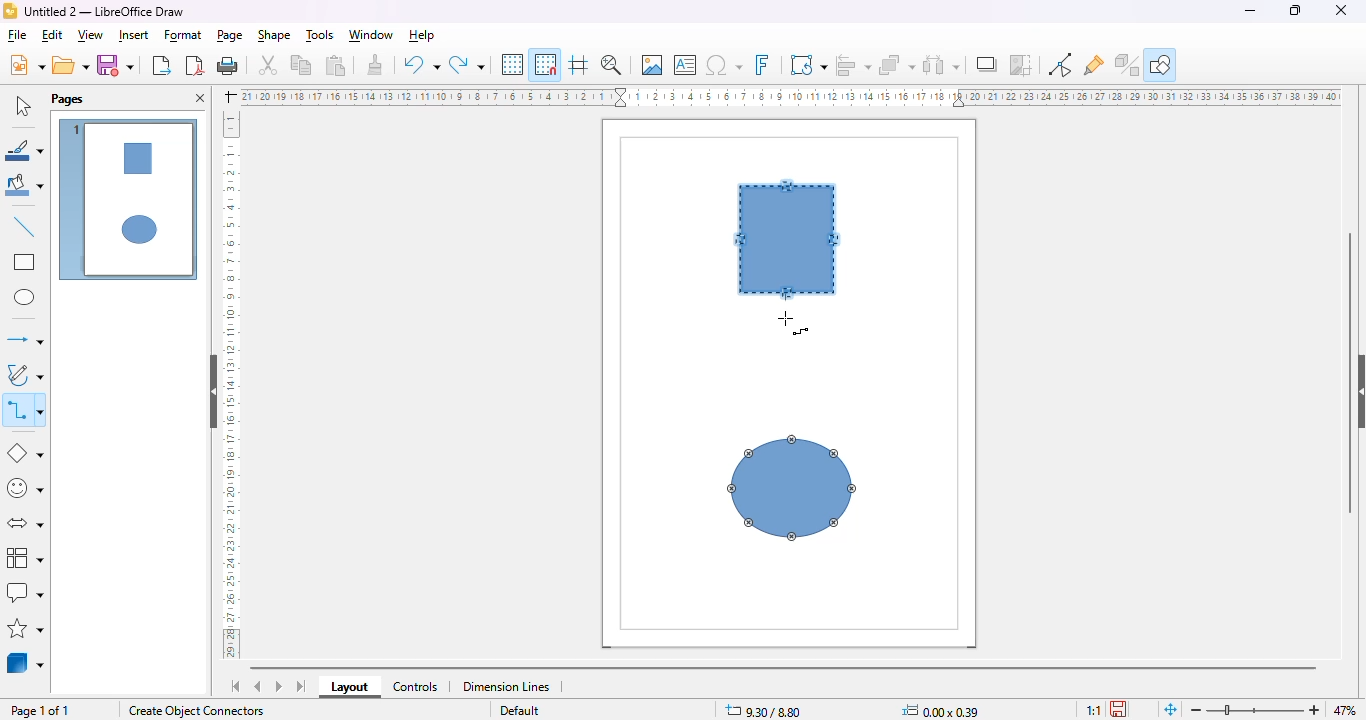 This screenshot has width=1366, height=720. What do you see at coordinates (789, 239) in the screenshot?
I see `shape 1` at bounding box center [789, 239].